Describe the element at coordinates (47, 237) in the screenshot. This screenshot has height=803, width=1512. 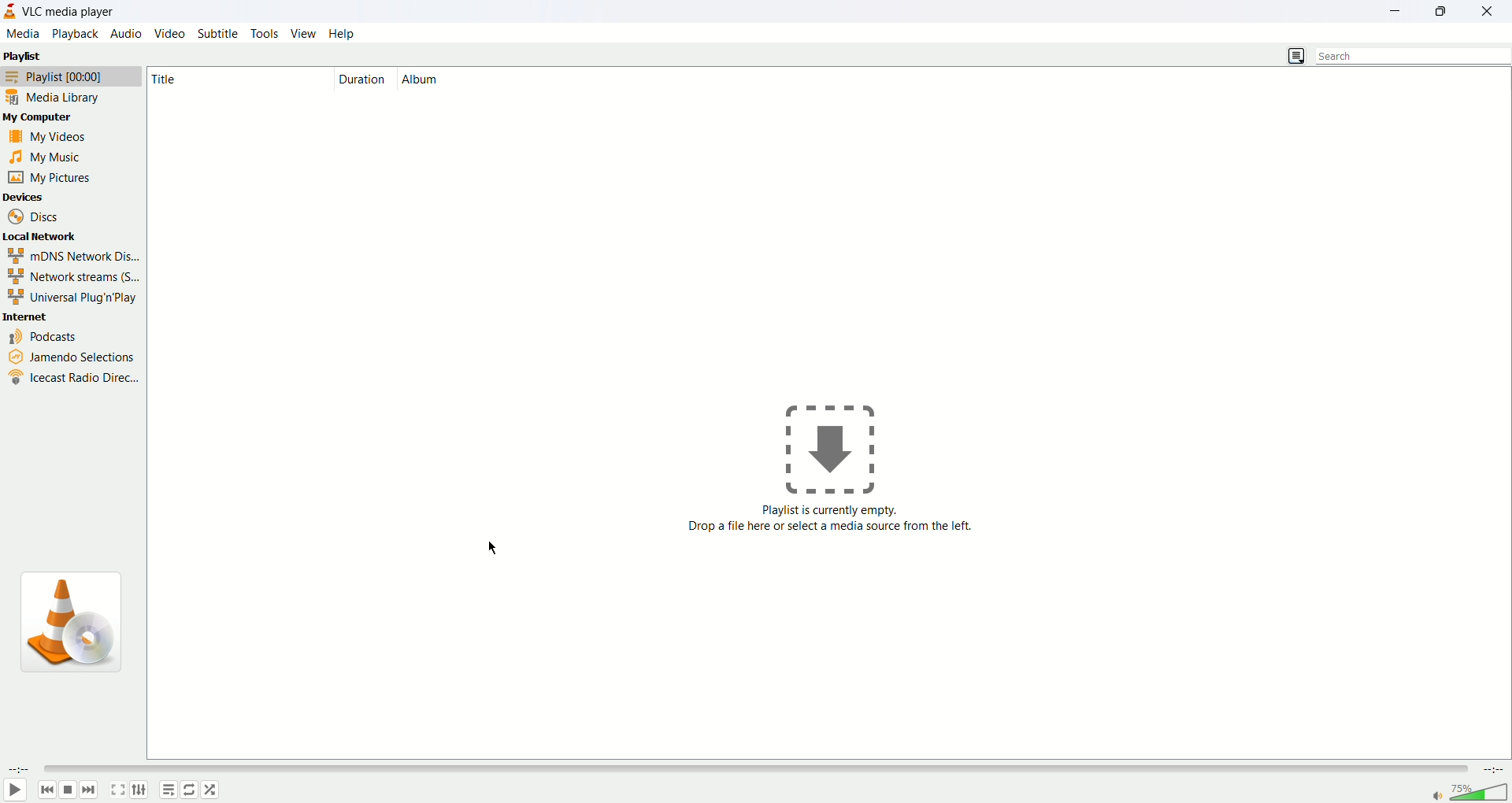
I see `local network` at that location.